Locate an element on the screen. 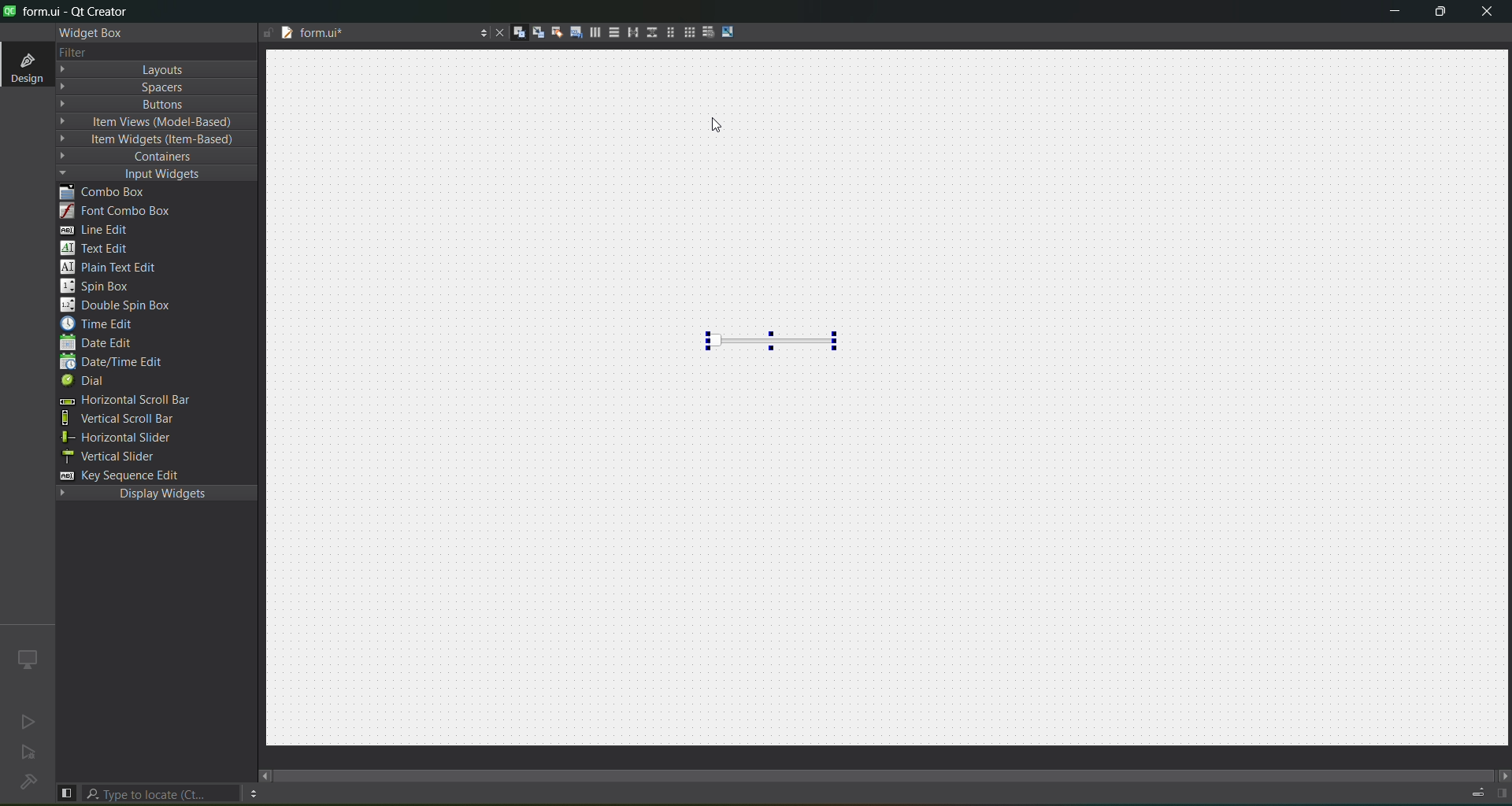  Cursor is located at coordinates (722, 128).